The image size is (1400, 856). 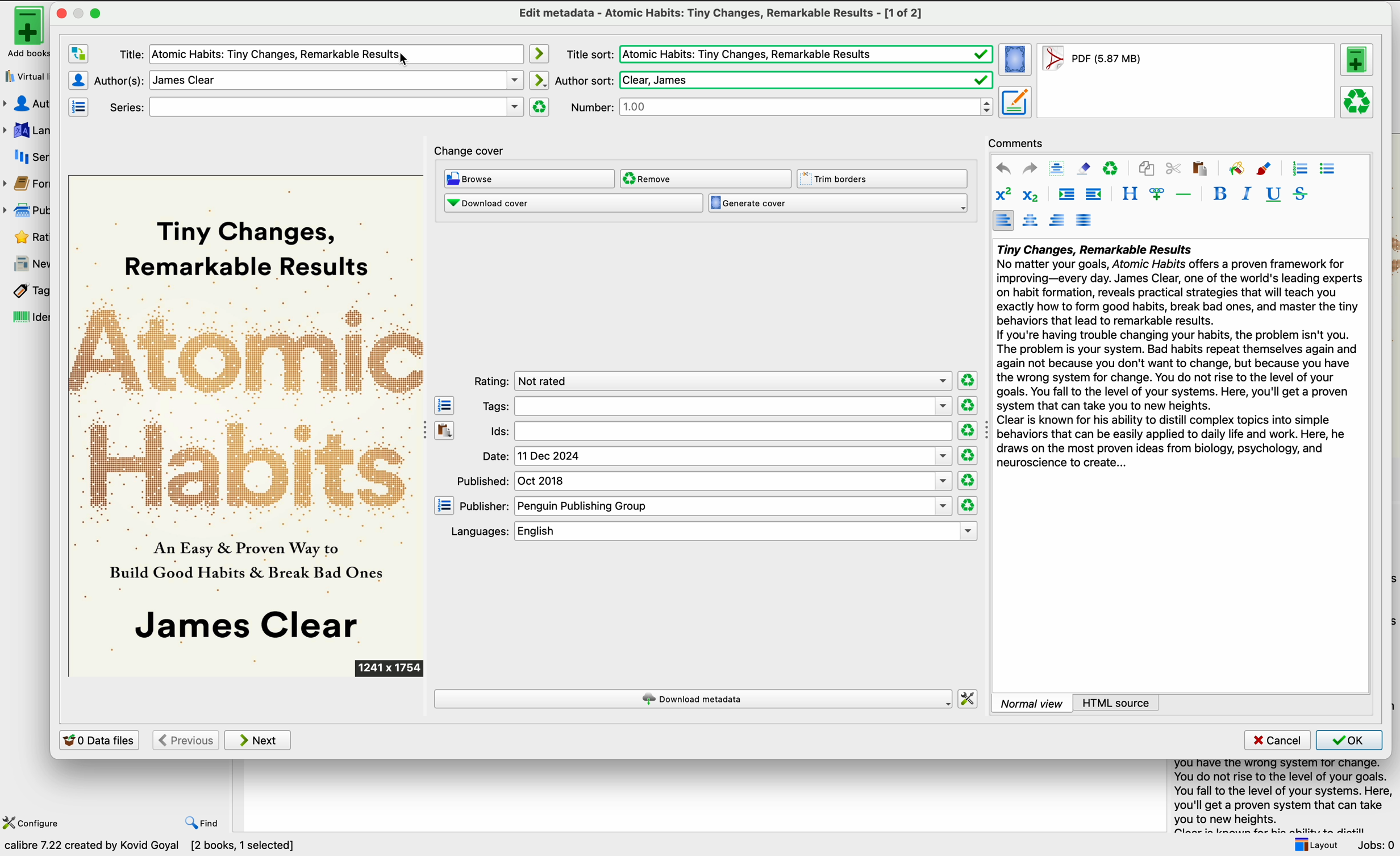 What do you see at coordinates (1156, 195) in the screenshot?
I see `insert link/image` at bounding box center [1156, 195].